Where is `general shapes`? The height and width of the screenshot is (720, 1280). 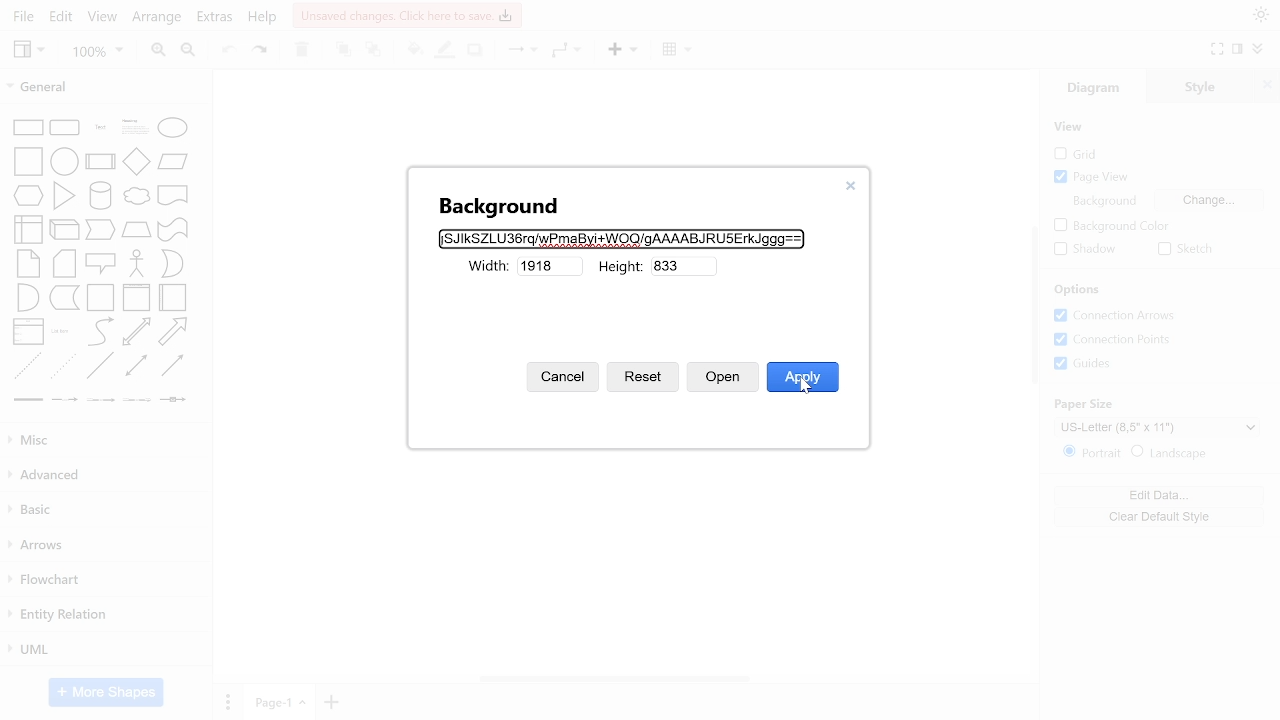
general shapes is located at coordinates (172, 194).